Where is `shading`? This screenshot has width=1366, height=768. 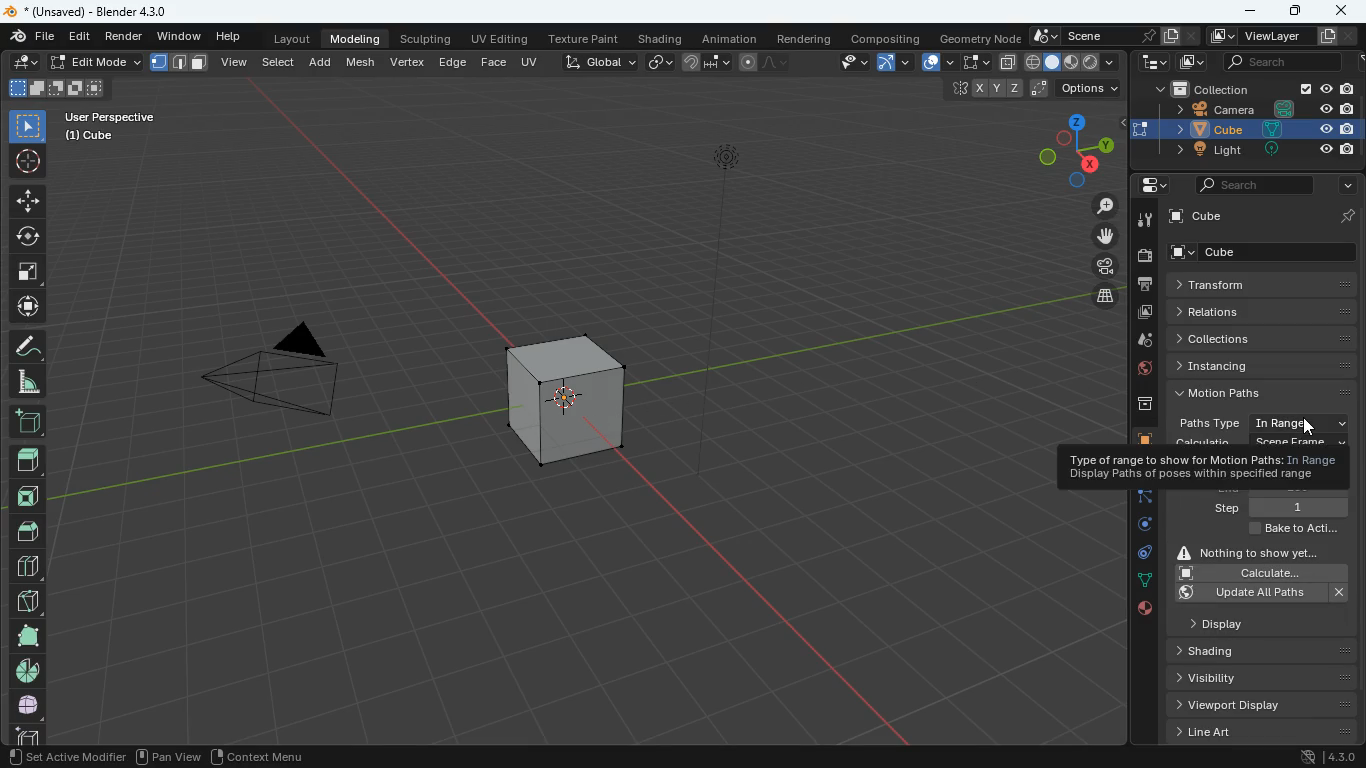 shading is located at coordinates (663, 40).